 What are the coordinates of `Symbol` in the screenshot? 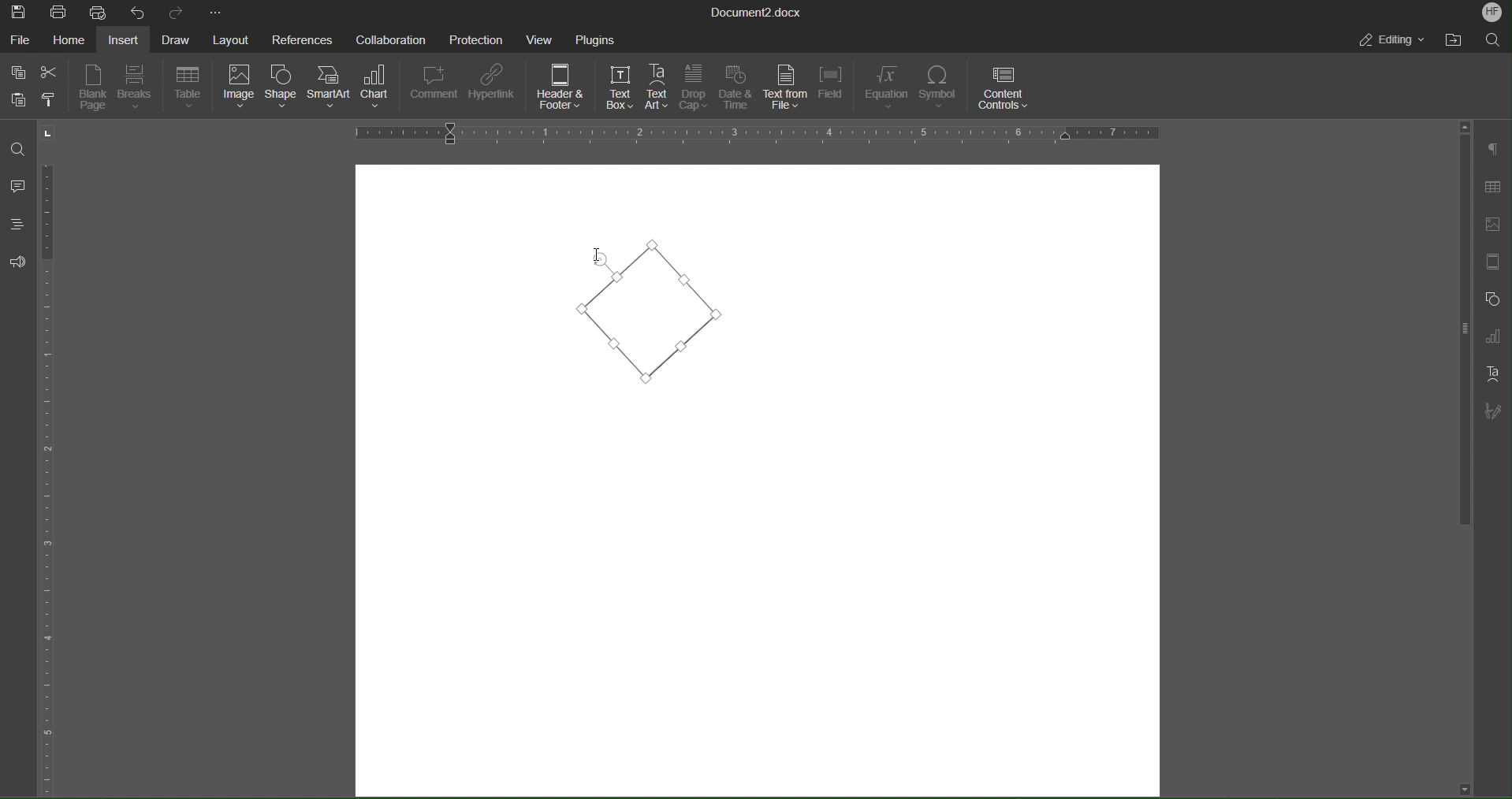 It's located at (940, 88).